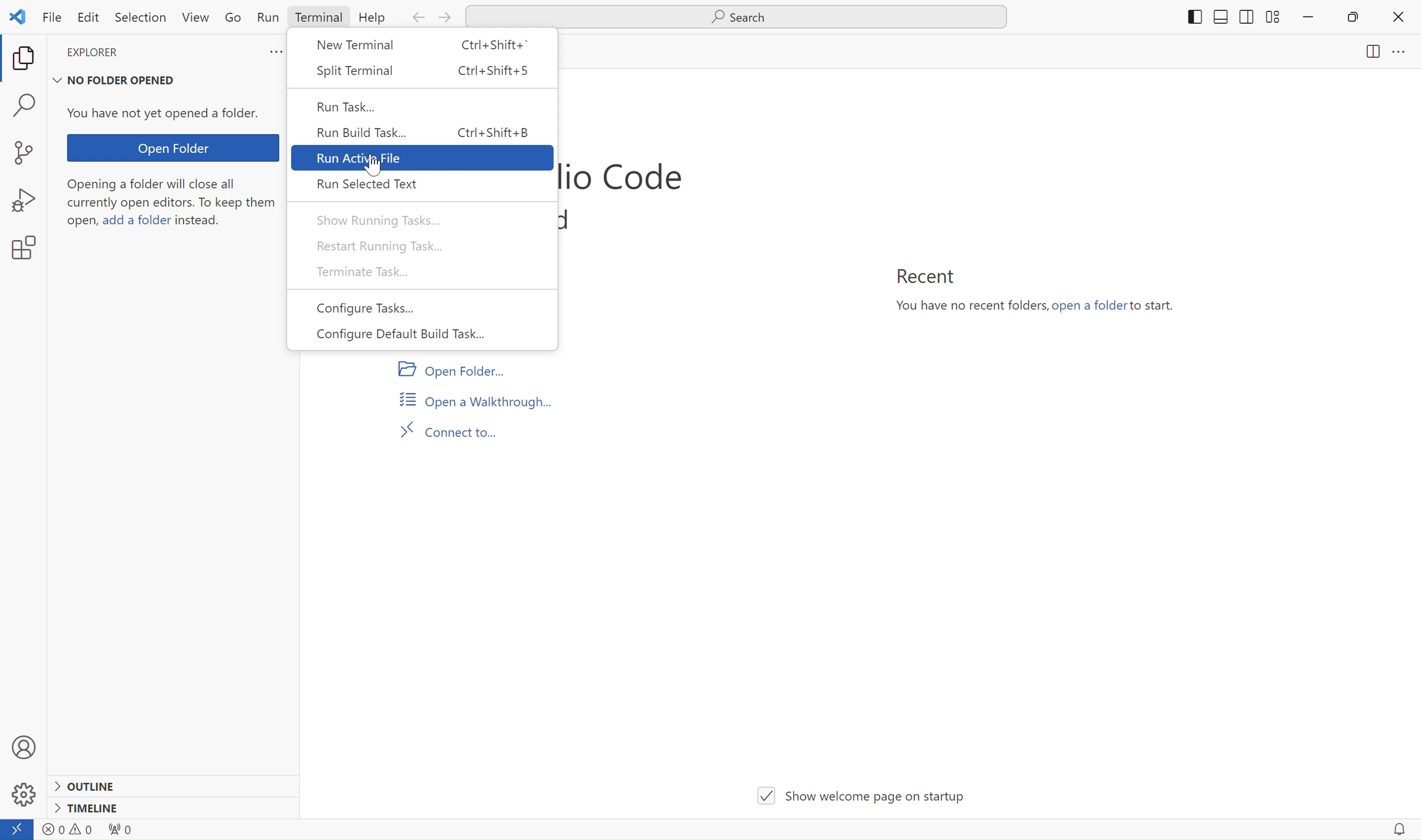 This screenshot has width=1421, height=840. What do you see at coordinates (1406, 53) in the screenshot?
I see `menu` at bounding box center [1406, 53].